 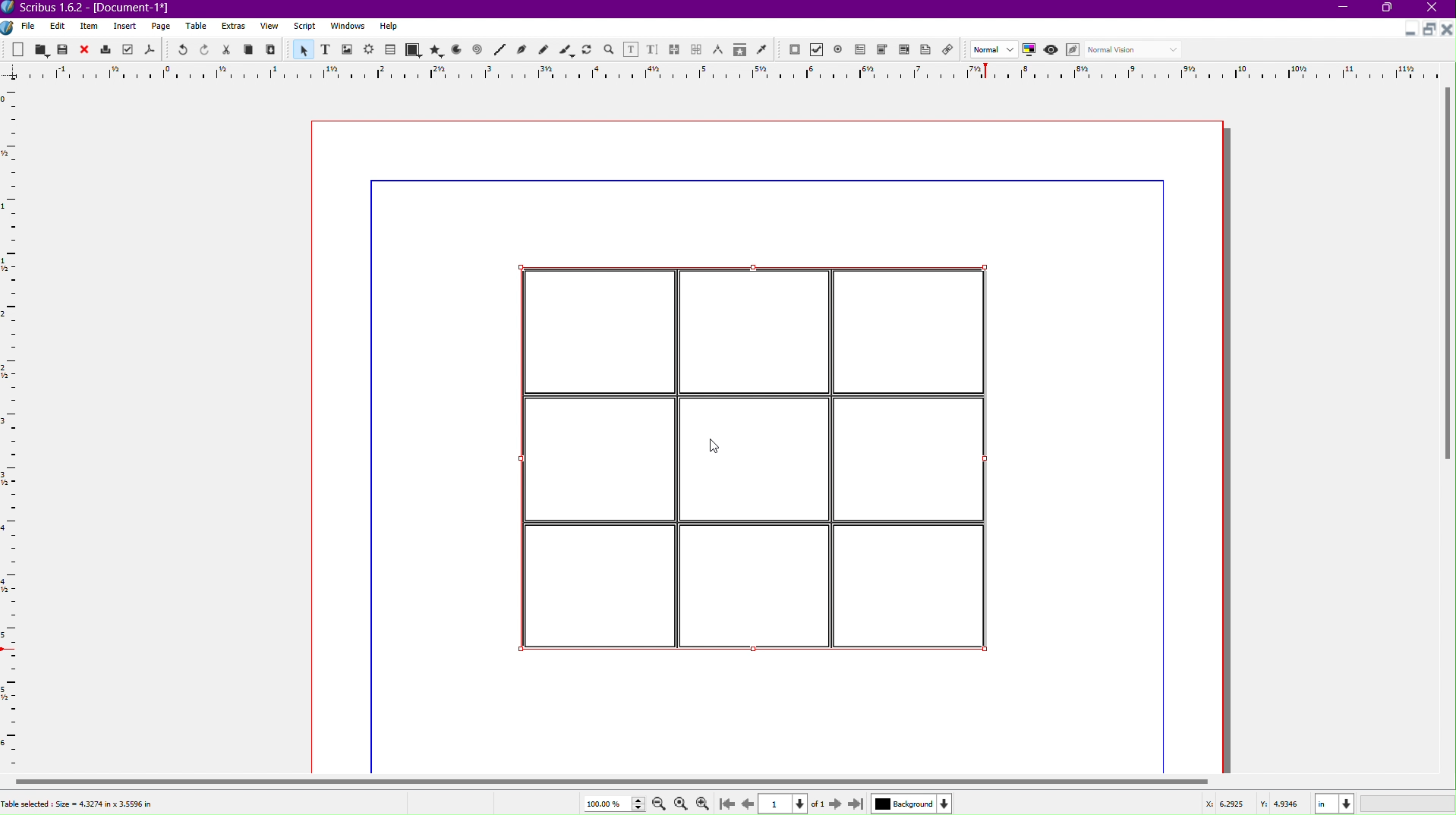 What do you see at coordinates (205, 50) in the screenshot?
I see `Redo` at bounding box center [205, 50].